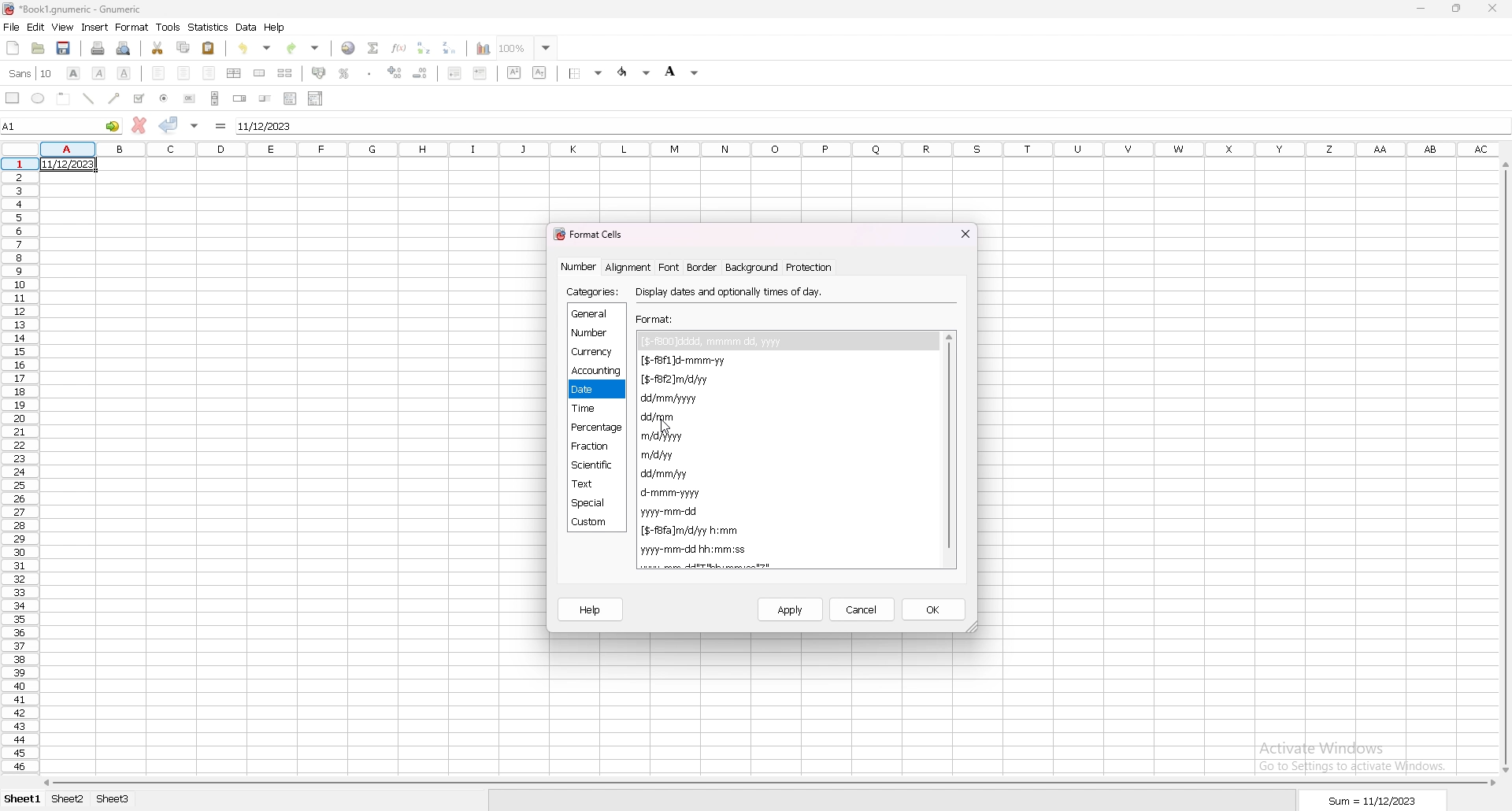  I want to click on open, so click(38, 47).